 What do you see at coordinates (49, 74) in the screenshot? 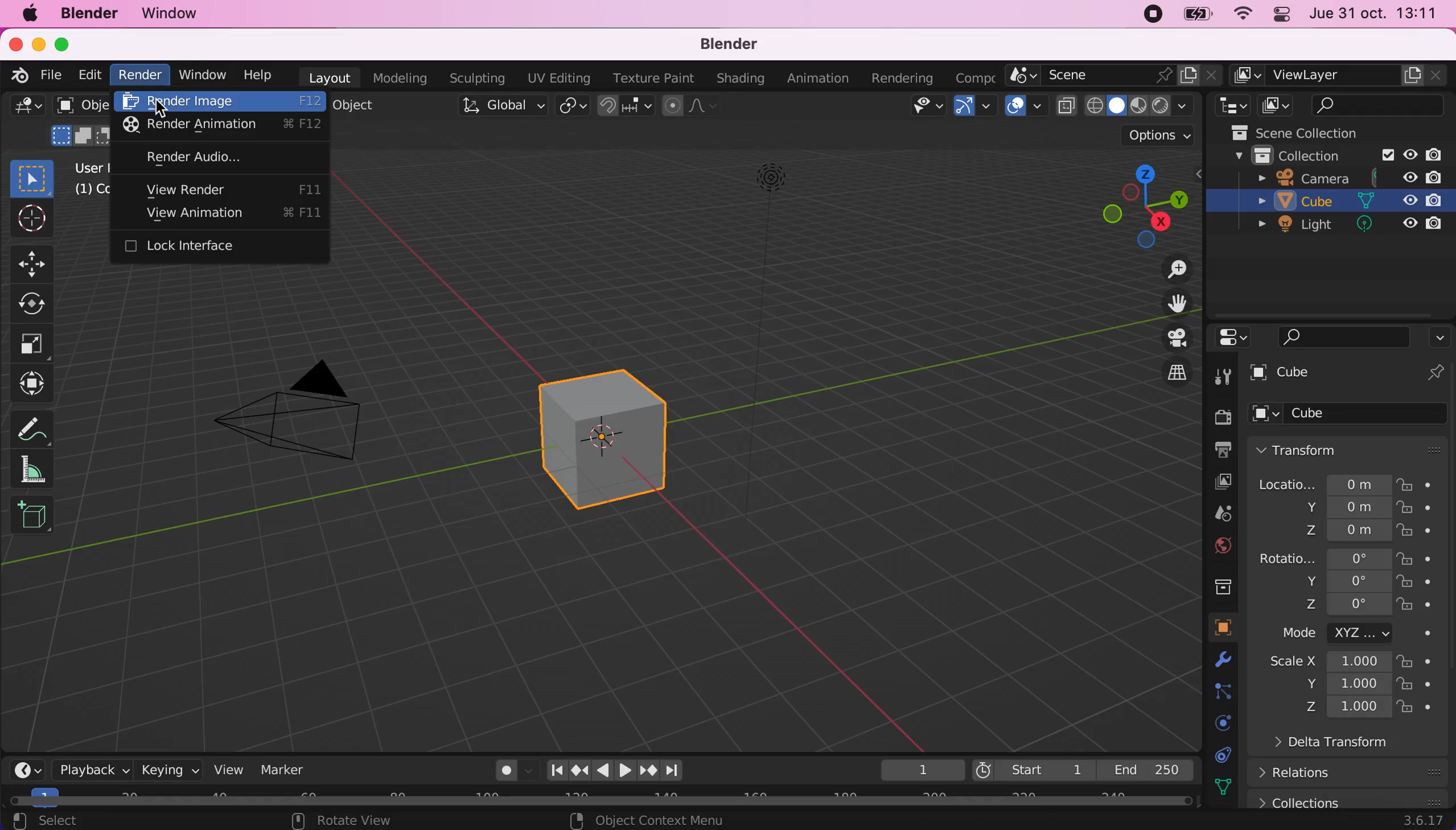
I see `file` at bounding box center [49, 74].